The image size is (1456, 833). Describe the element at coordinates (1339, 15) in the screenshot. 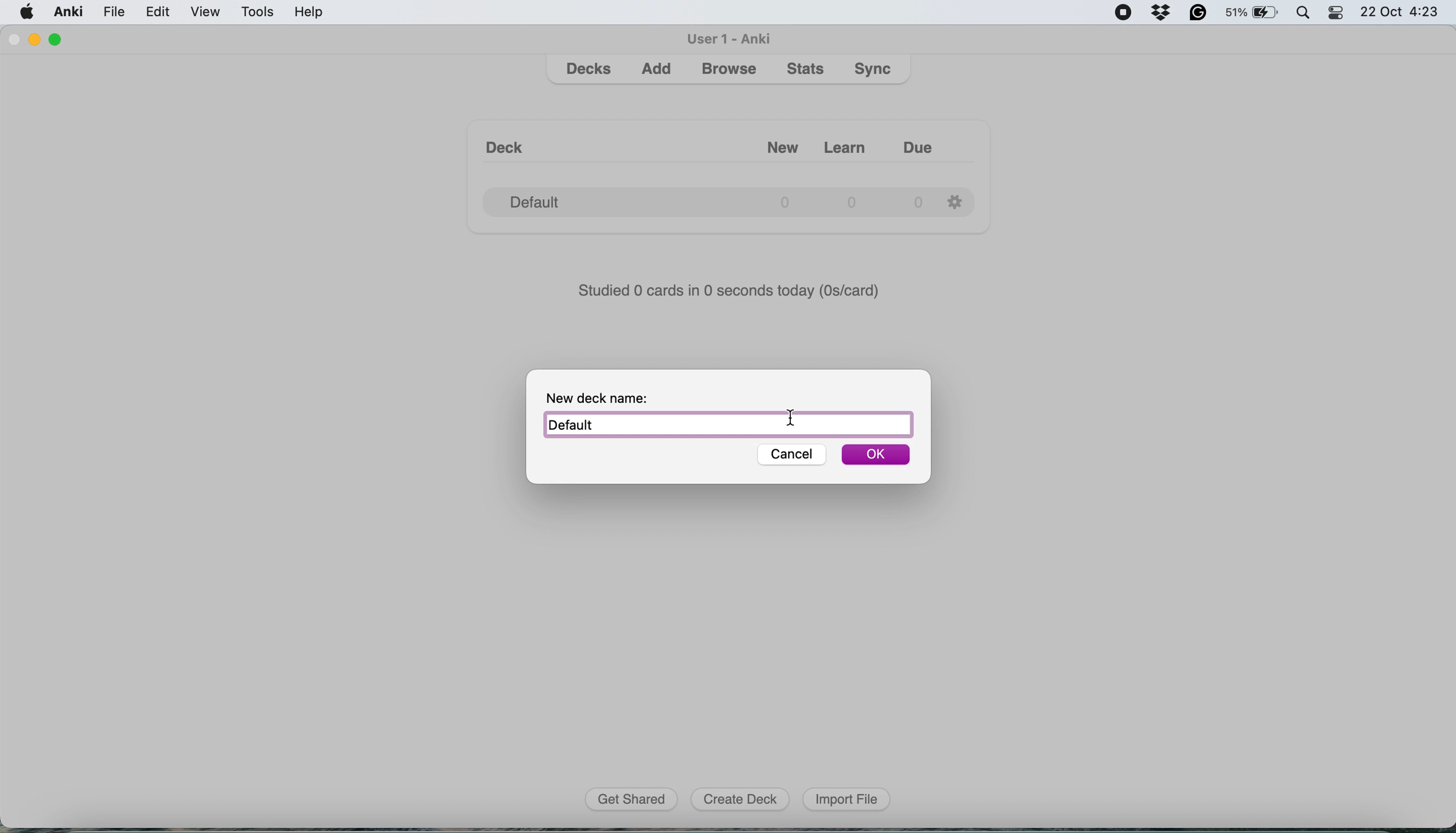

I see `control center` at that location.